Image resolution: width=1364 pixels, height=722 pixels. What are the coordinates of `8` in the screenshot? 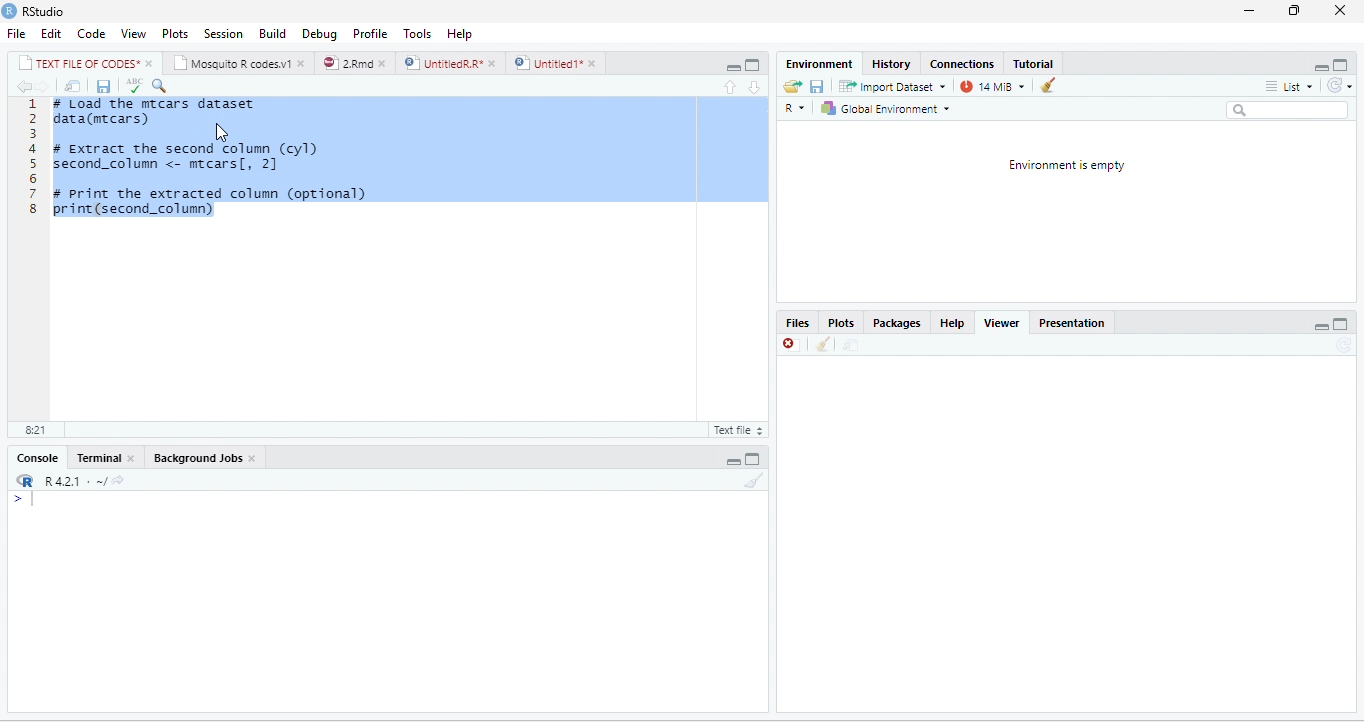 It's located at (32, 209).